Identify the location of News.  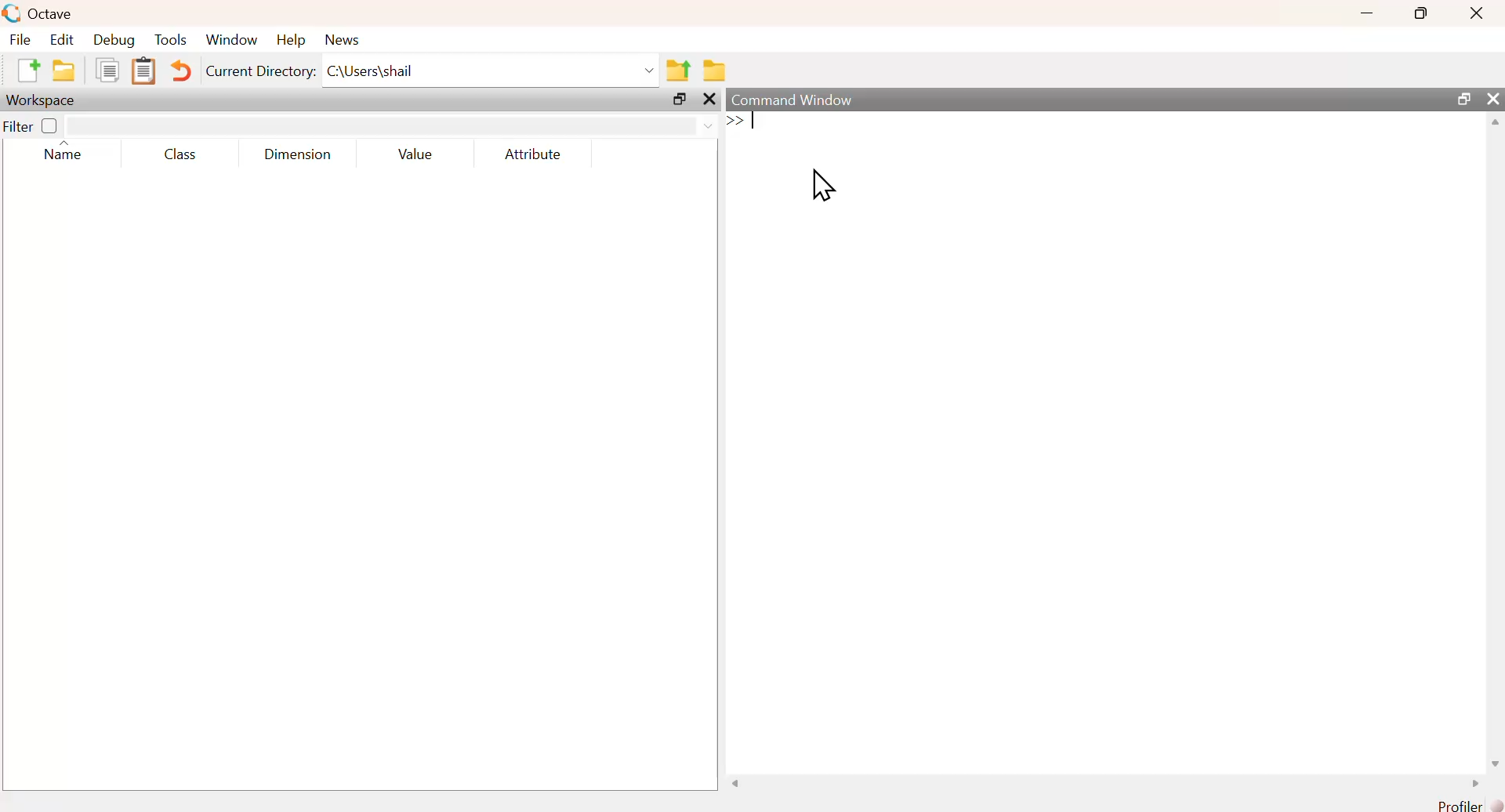
(343, 40).